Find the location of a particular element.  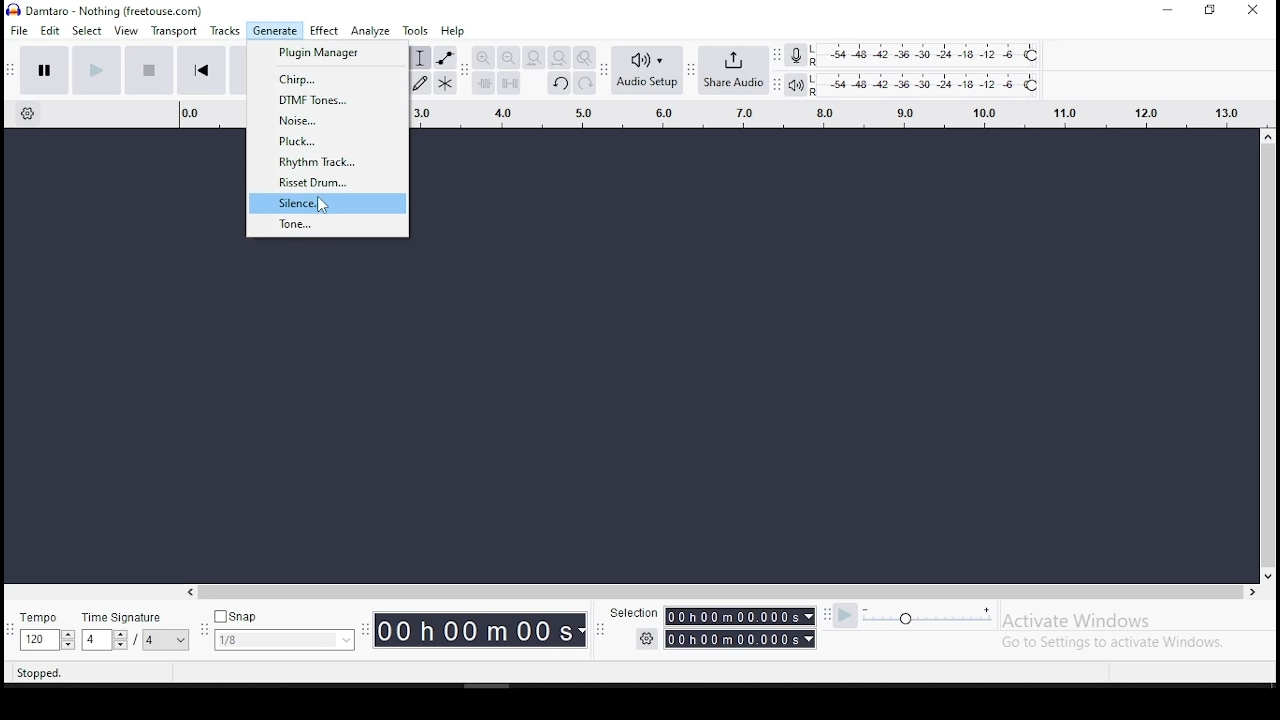

undo is located at coordinates (560, 82).